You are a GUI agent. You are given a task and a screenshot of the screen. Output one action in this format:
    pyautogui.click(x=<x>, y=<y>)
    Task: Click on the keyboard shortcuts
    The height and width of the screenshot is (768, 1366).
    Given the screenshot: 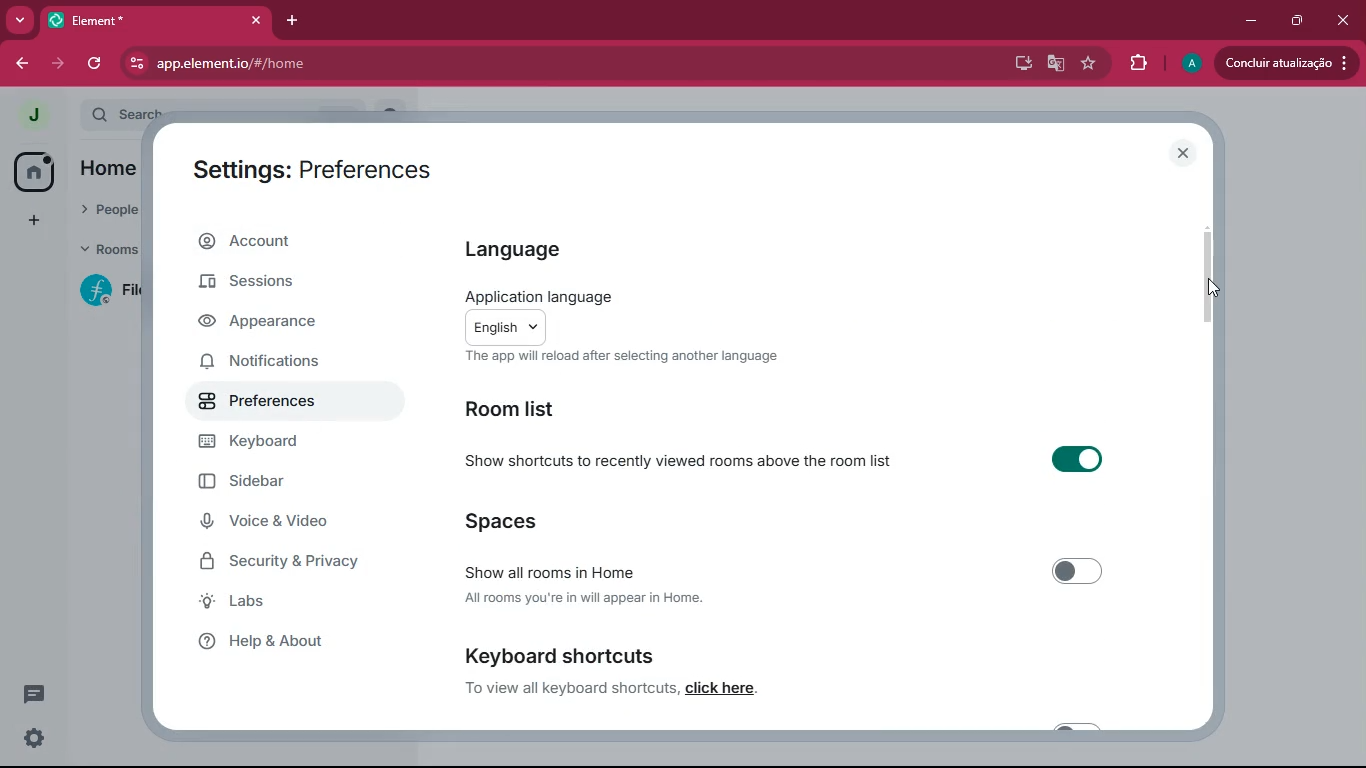 What is the action you would take?
    pyautogui.click(x=558, y=656)
    